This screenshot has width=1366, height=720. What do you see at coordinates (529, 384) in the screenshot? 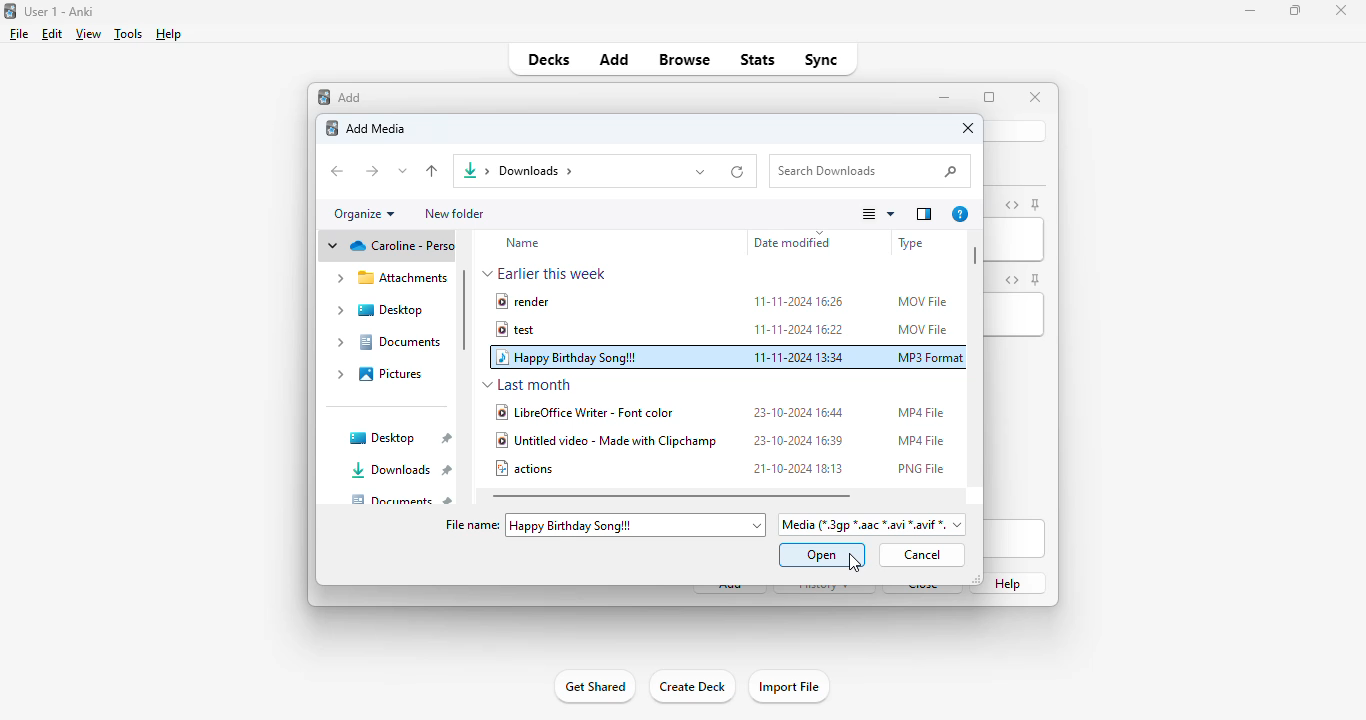
I see `last month` at bounding box center [529, 384].